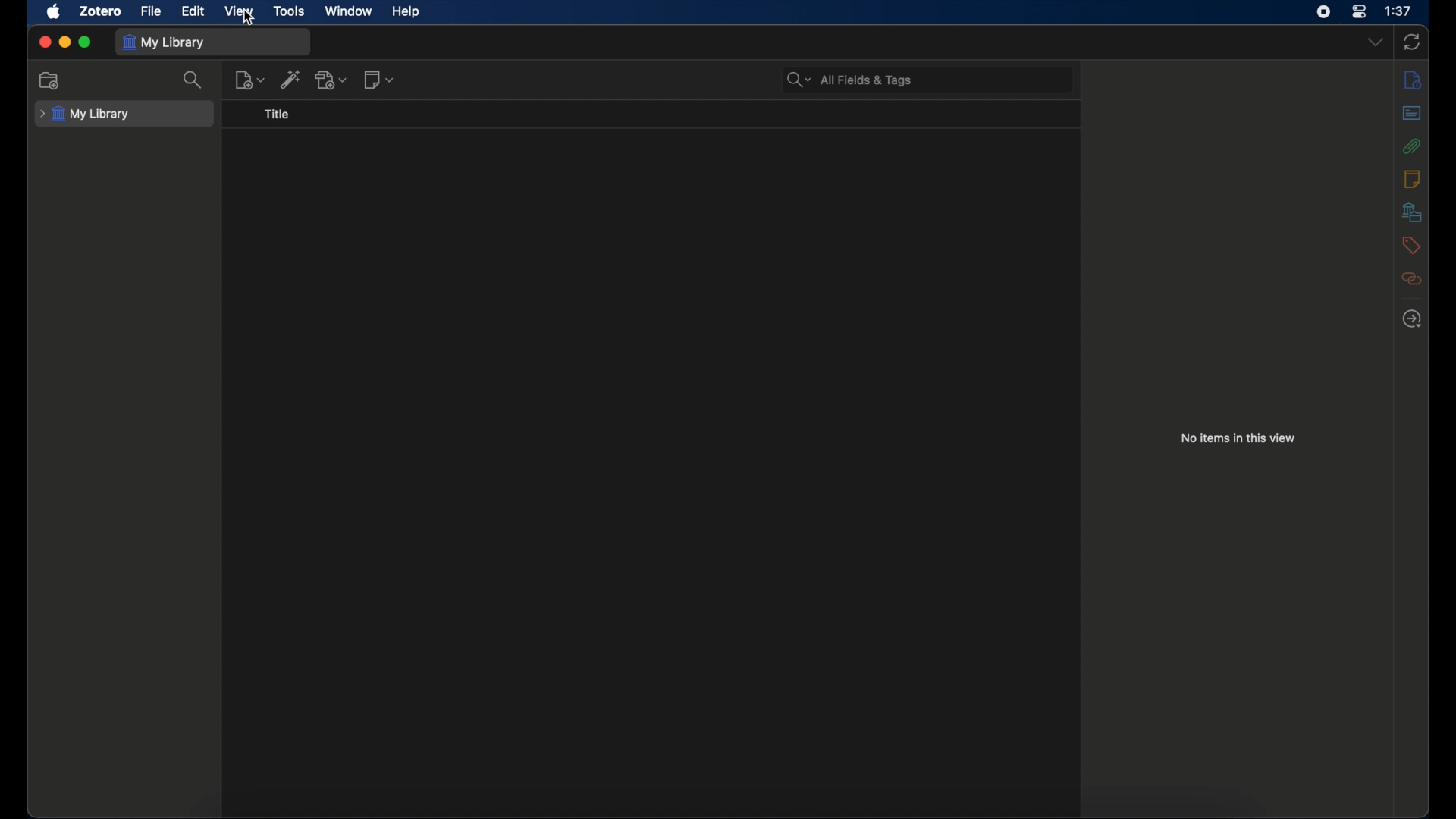  Describe the element at coordinates (1398, 11) in the screenshot. I see `1:37` at that location.